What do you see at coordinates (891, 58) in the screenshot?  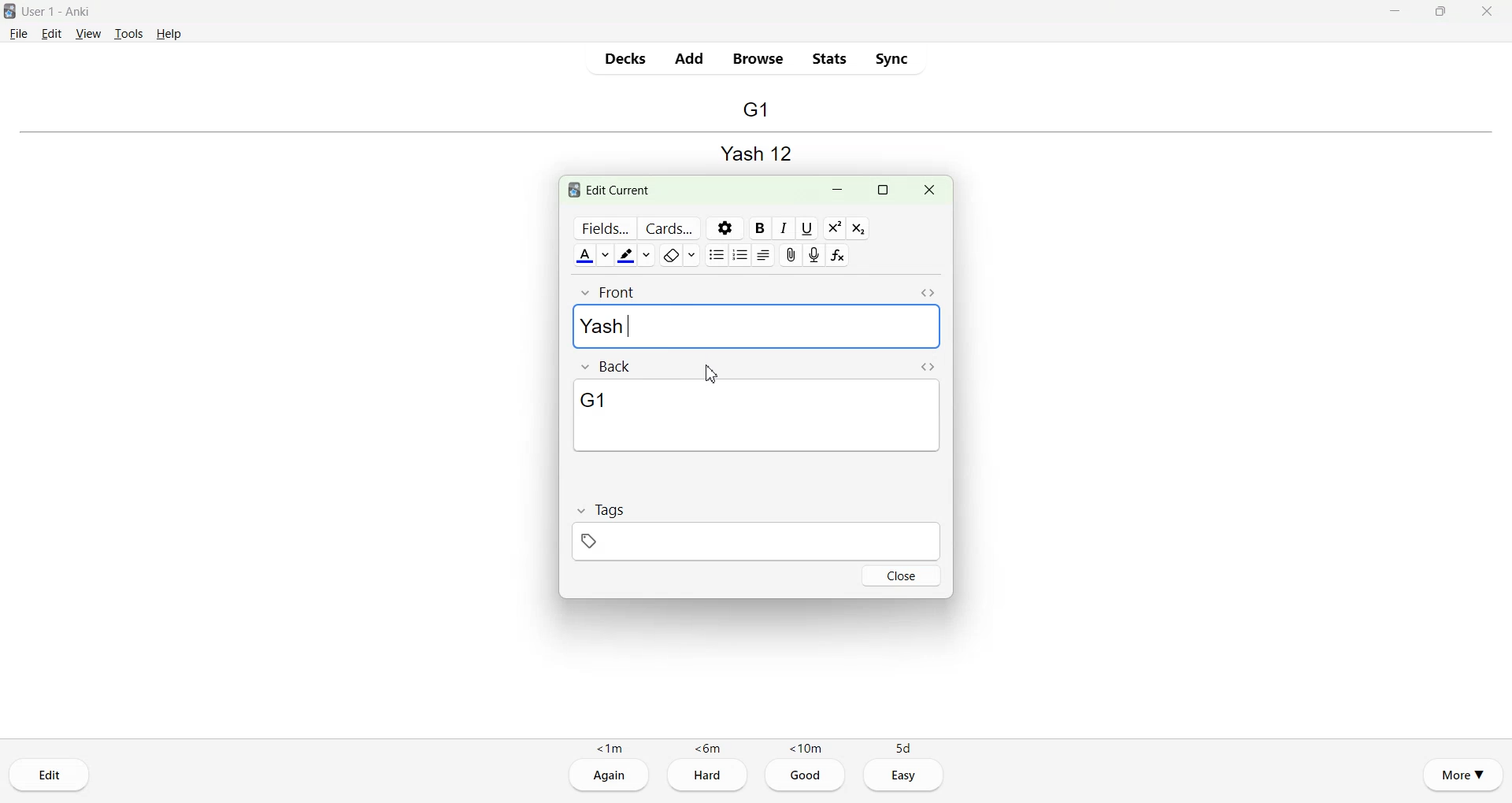 I see `Sync` at bounding box center [891, 58].